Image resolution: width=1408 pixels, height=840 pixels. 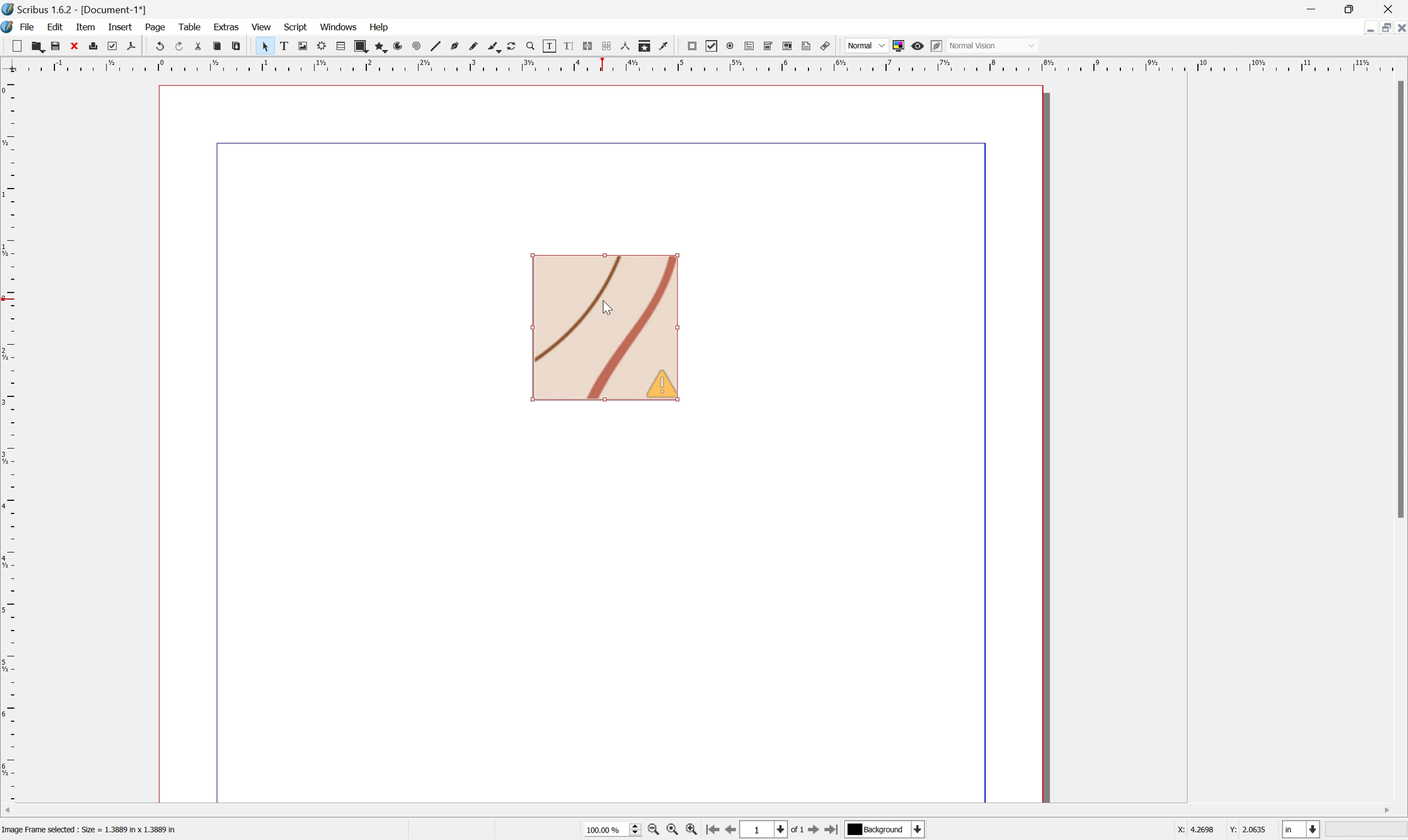 I want to click on Restore down, so click(x=1353, y=10).